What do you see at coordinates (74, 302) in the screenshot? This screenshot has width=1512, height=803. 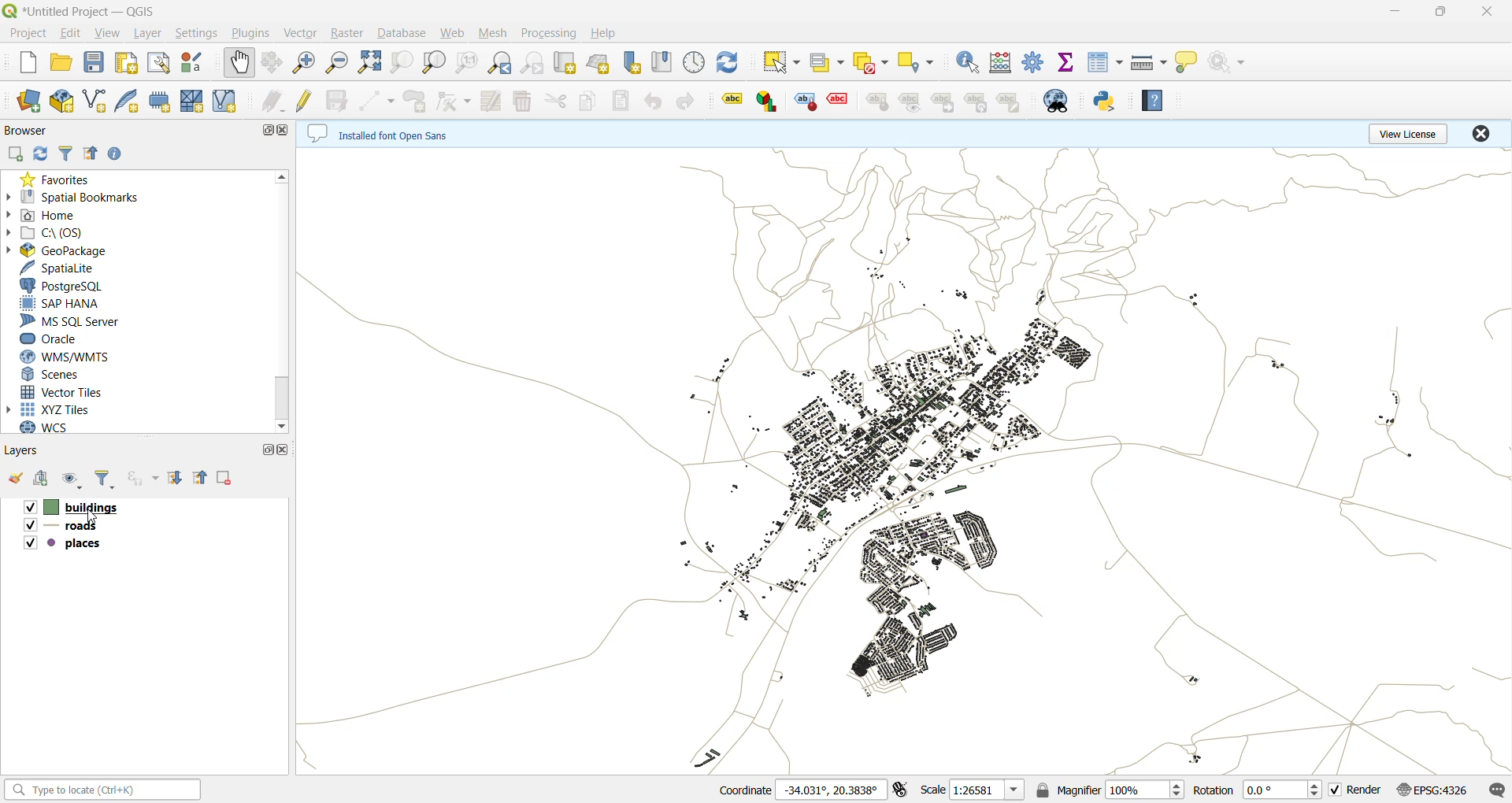 I see `sap hana` at bounding box center [74, 302].